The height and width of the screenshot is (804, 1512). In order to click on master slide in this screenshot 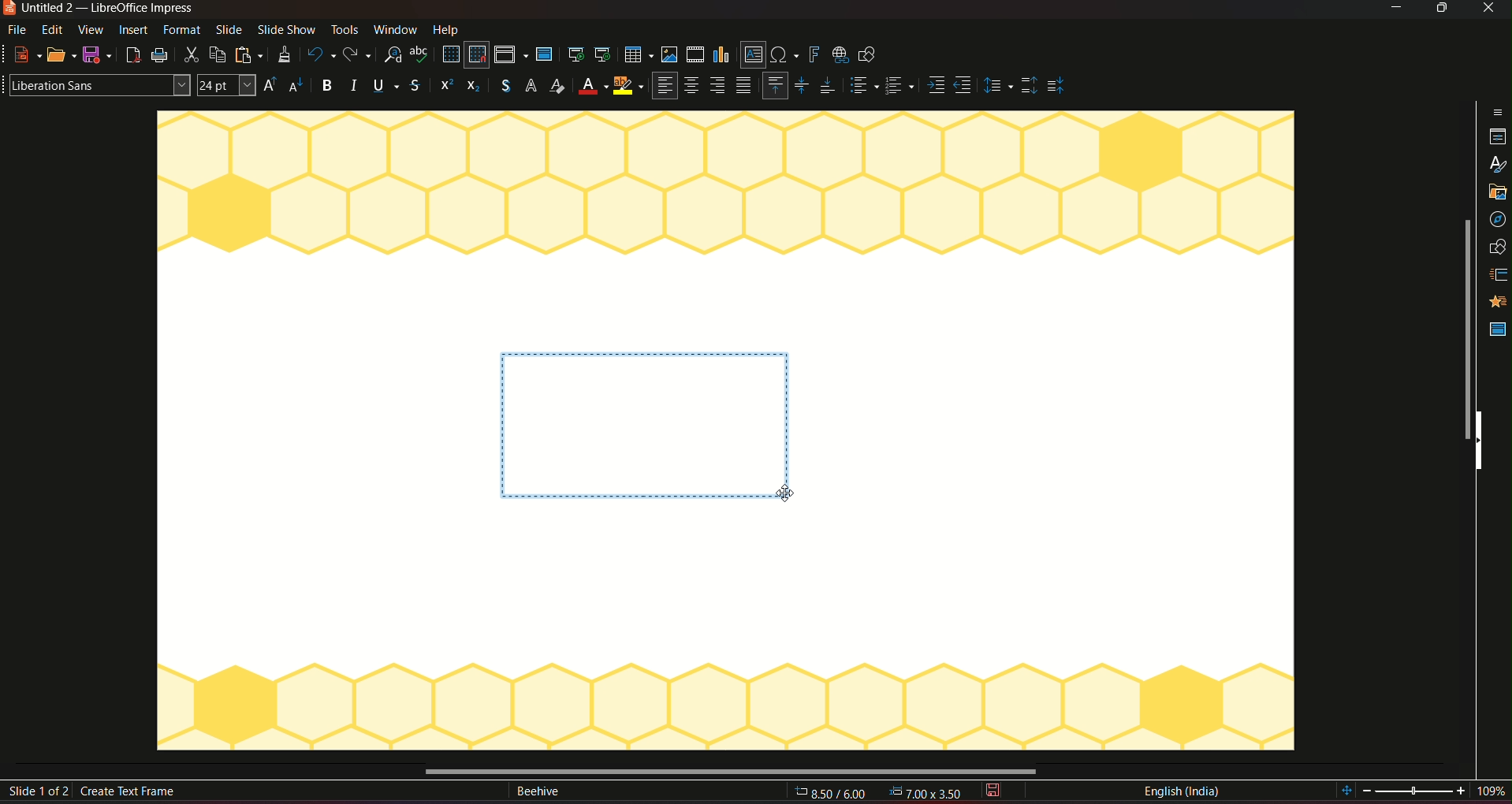, I will do `click(1498, 300)`.